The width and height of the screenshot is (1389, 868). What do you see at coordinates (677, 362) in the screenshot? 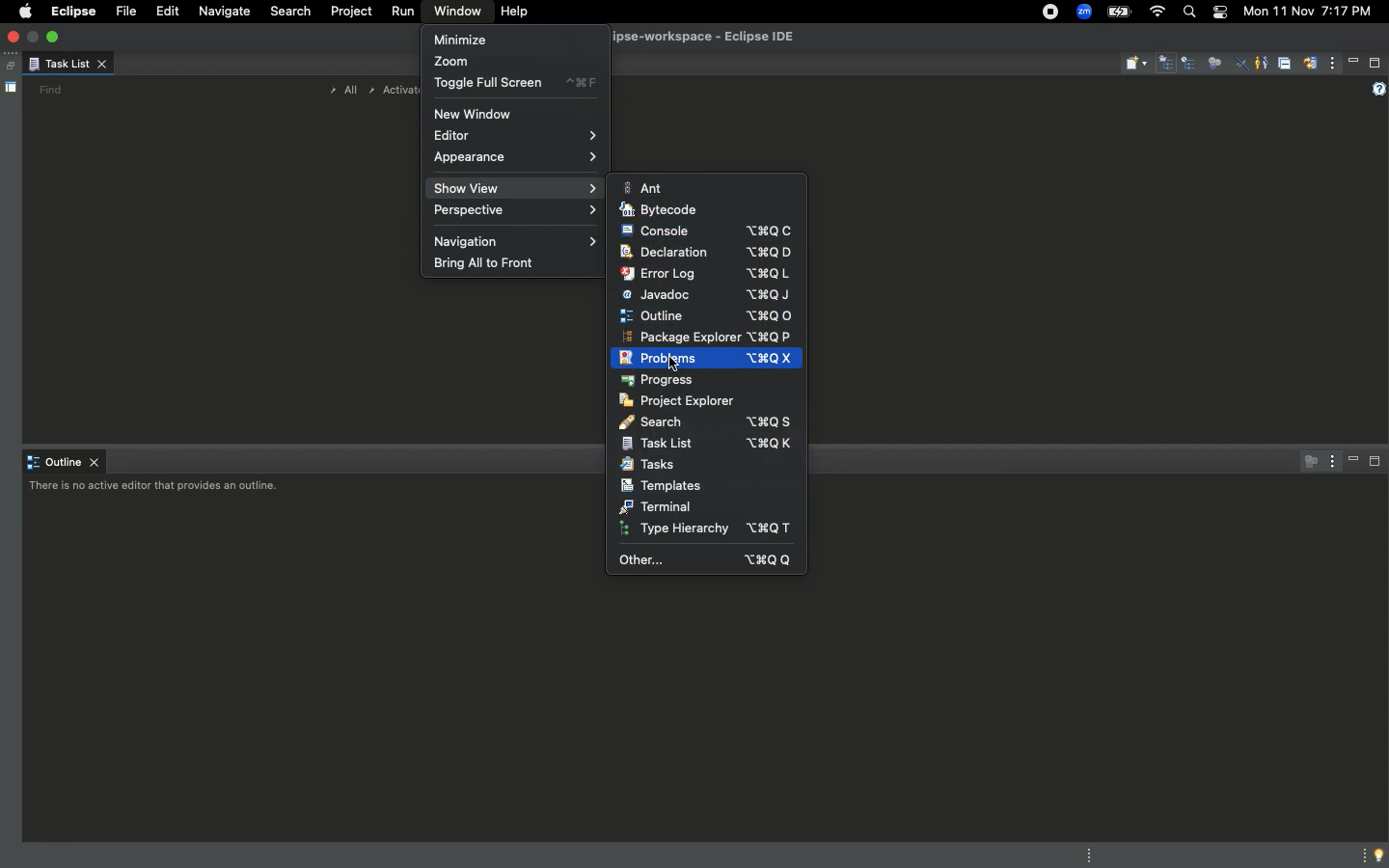
I see `cursor` at bounding box center [677, 362].